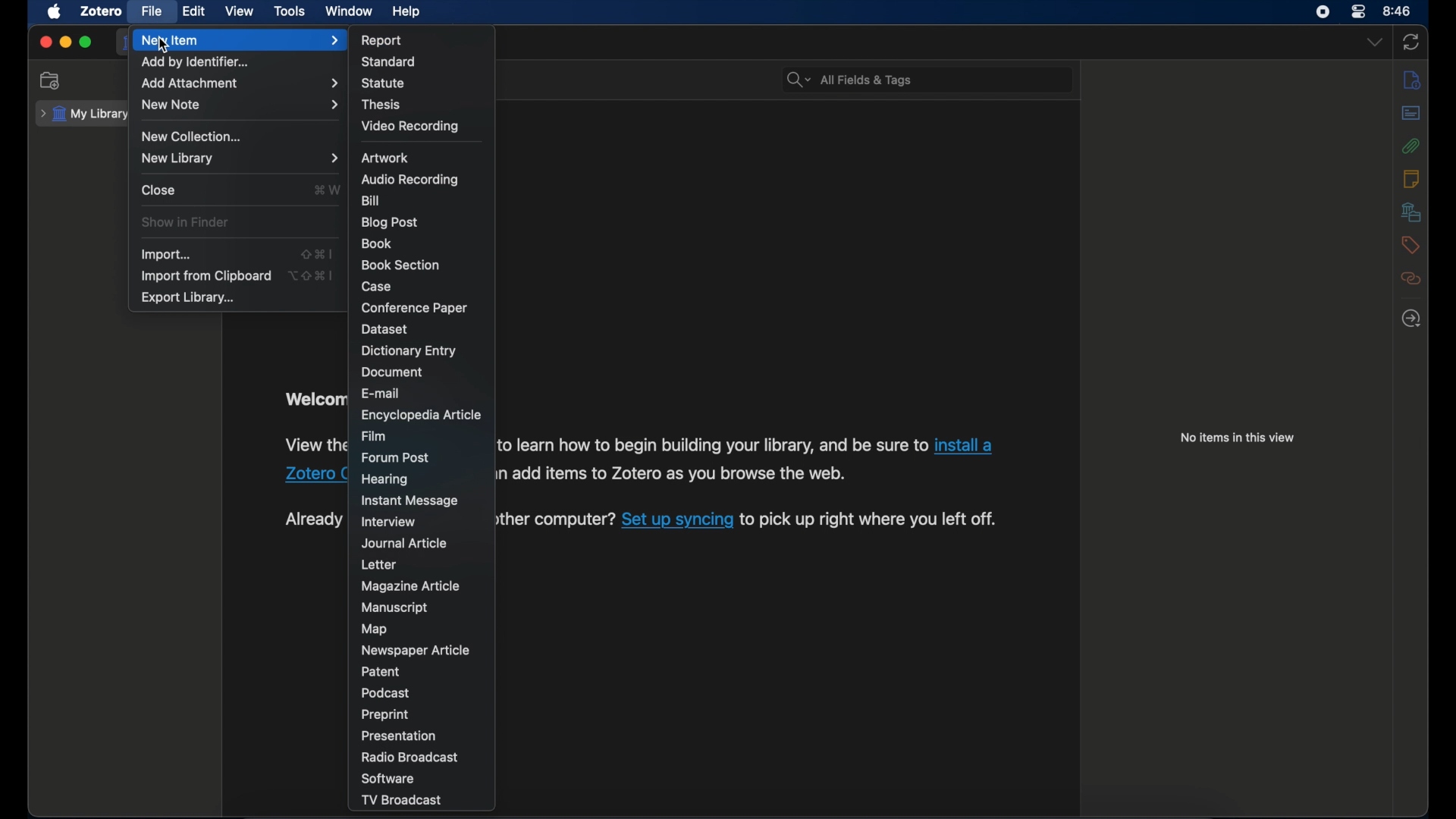 This screenshot has height=819, width=1456. I want to click on export library, so click(188, 298).